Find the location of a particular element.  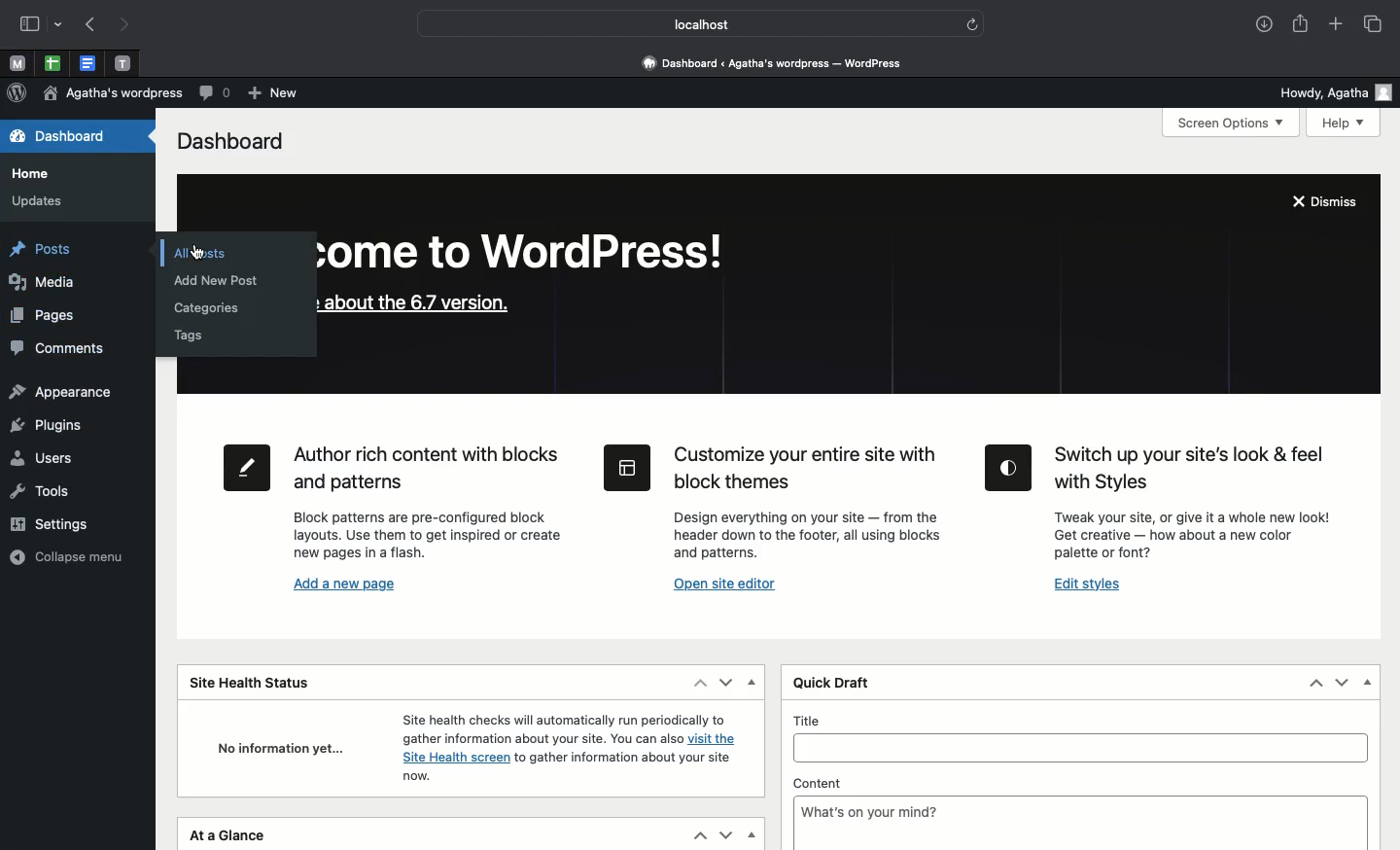

visit the is located at coordinates (717, 740).